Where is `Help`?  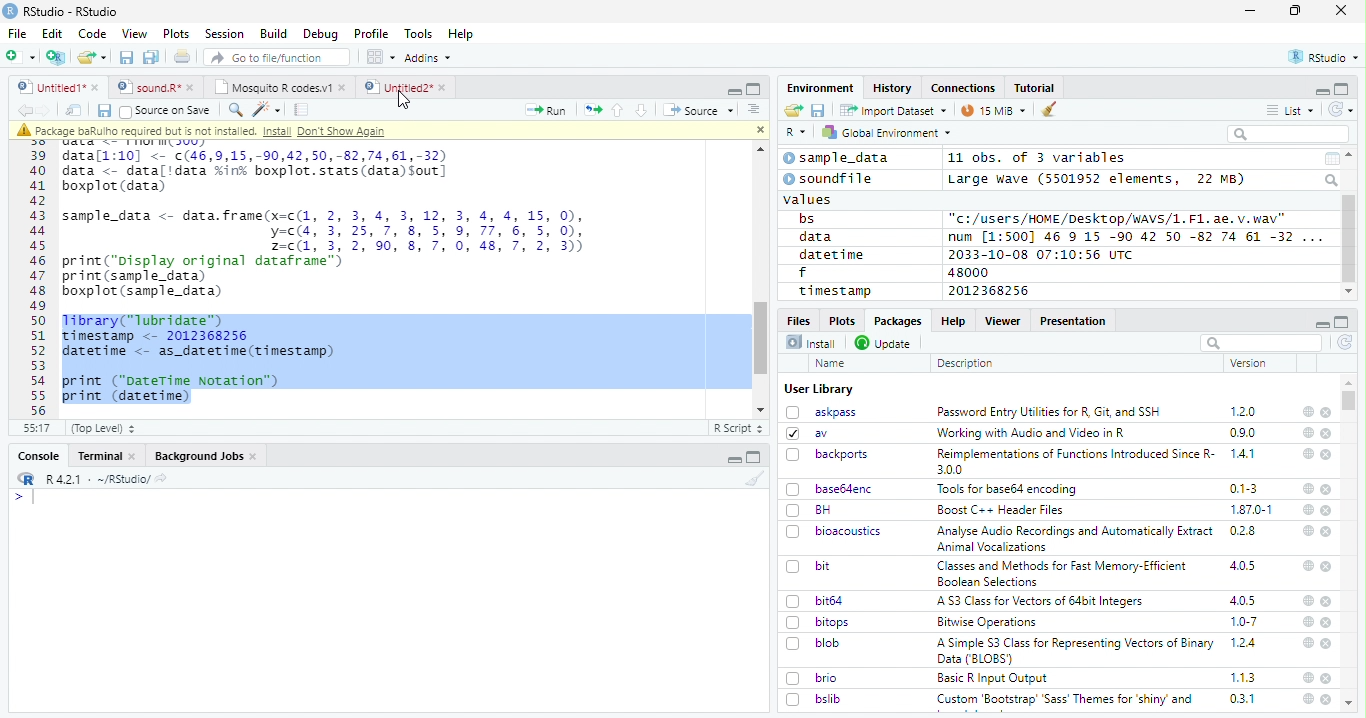
Help is located at coordinates (952, 320).